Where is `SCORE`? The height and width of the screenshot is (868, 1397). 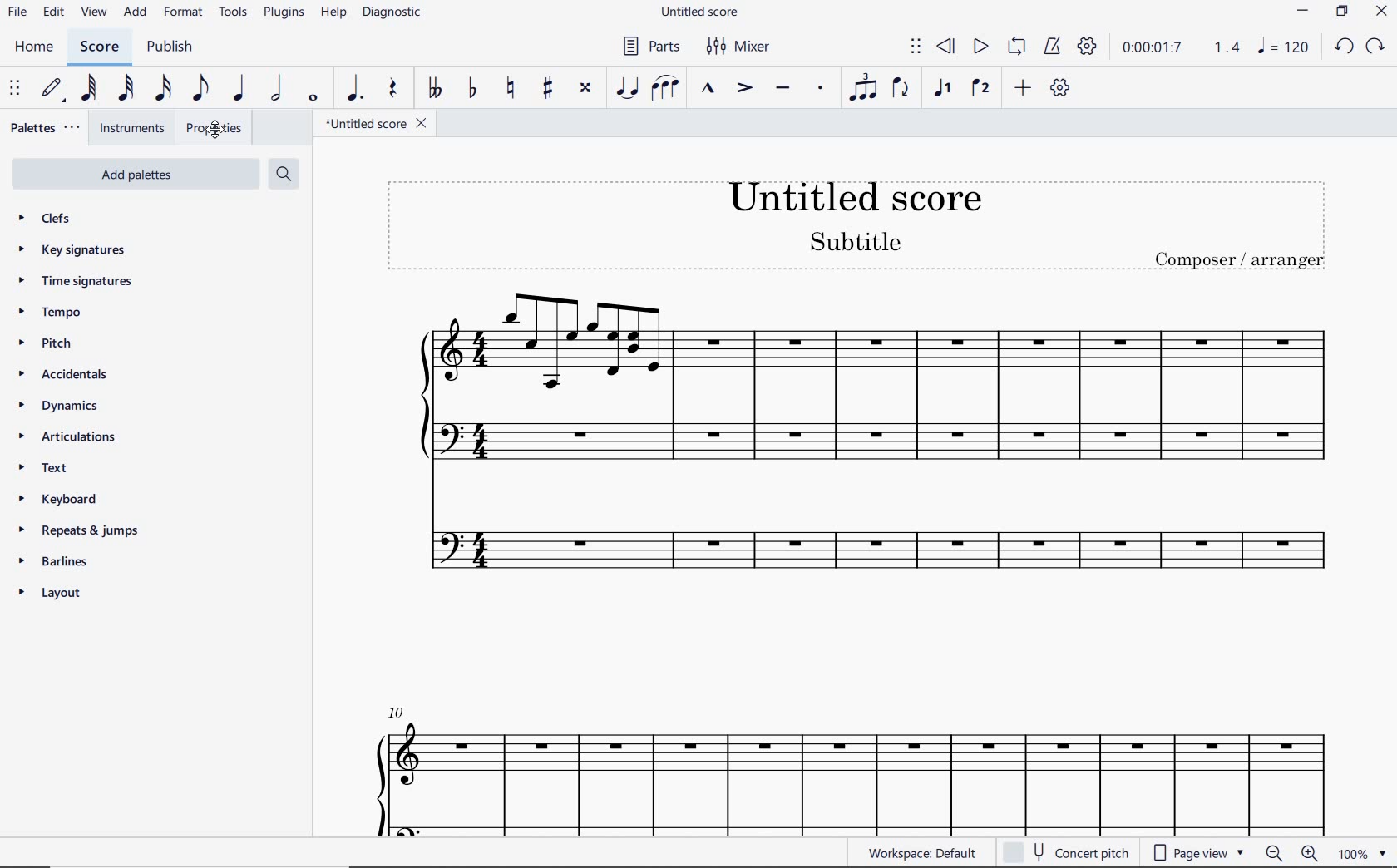
SCORE is located at coordinates (100, 47).